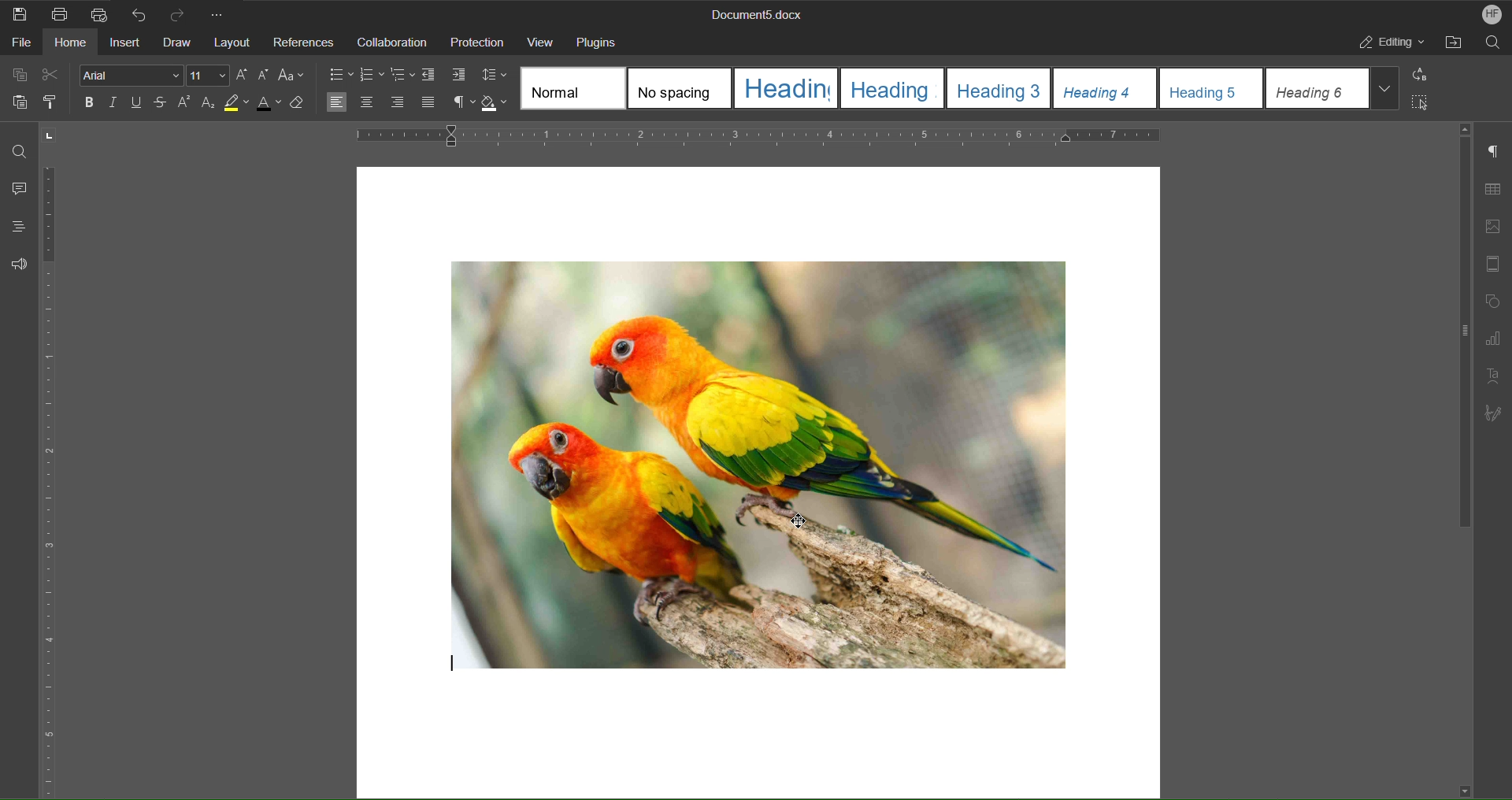 This screenshot has width=1512, height=800. What do you see at coordinates (179, 43) in the screenshot?
I see `Draw` at bounding box center [179, 43].